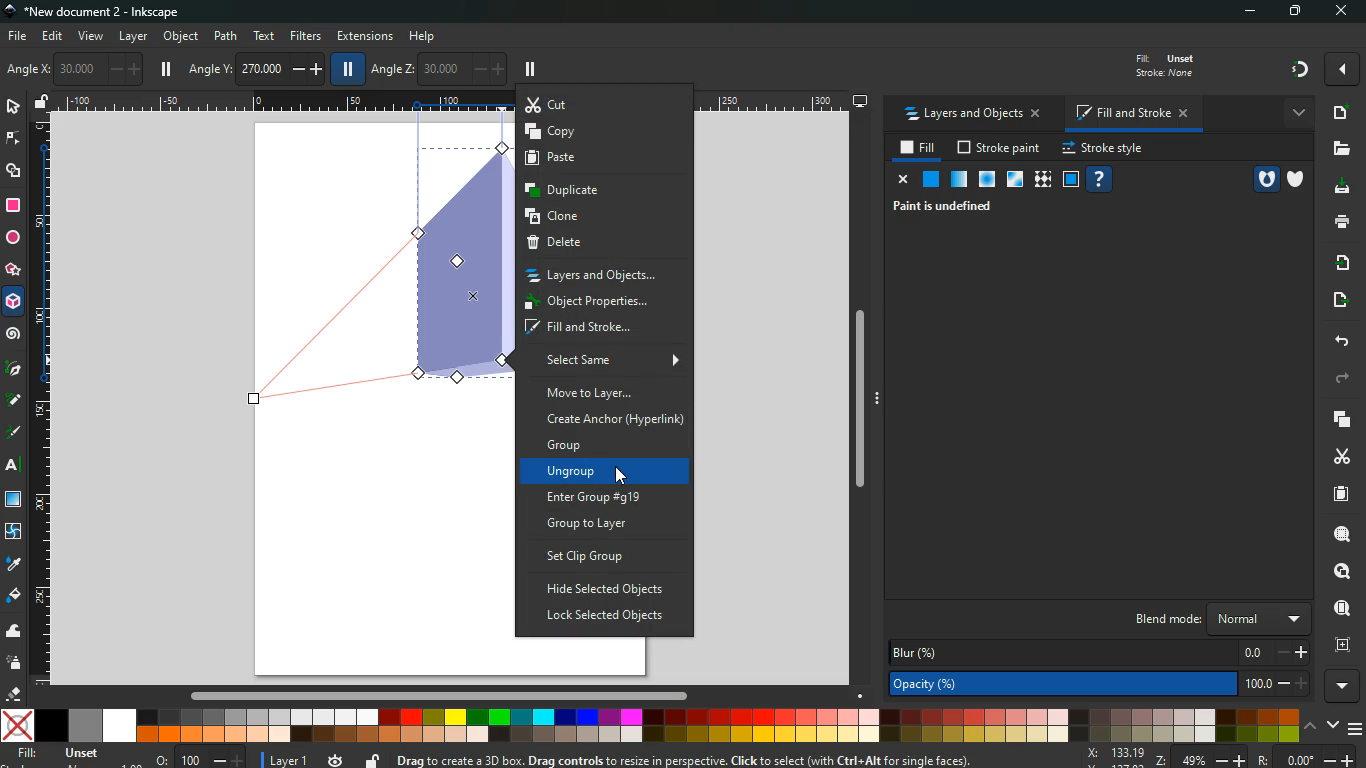 This screenshot has width=1366, height=768. I want to click on stroke style, so click(1102, 149).